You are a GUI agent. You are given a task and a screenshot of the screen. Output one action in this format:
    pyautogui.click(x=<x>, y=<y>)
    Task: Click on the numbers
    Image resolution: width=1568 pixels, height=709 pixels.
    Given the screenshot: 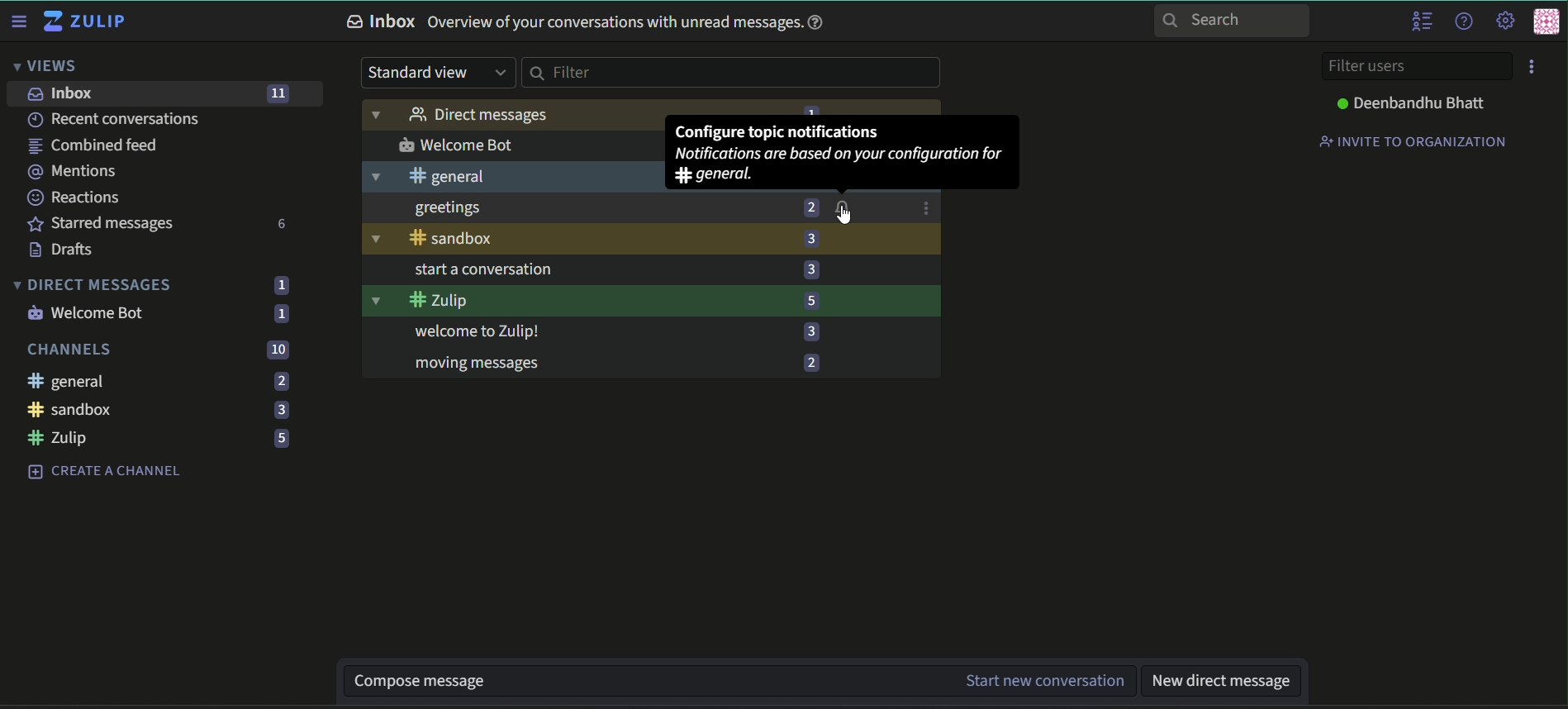 What is the action you would take?
    pyautogui.click(x=278, y=349)
    